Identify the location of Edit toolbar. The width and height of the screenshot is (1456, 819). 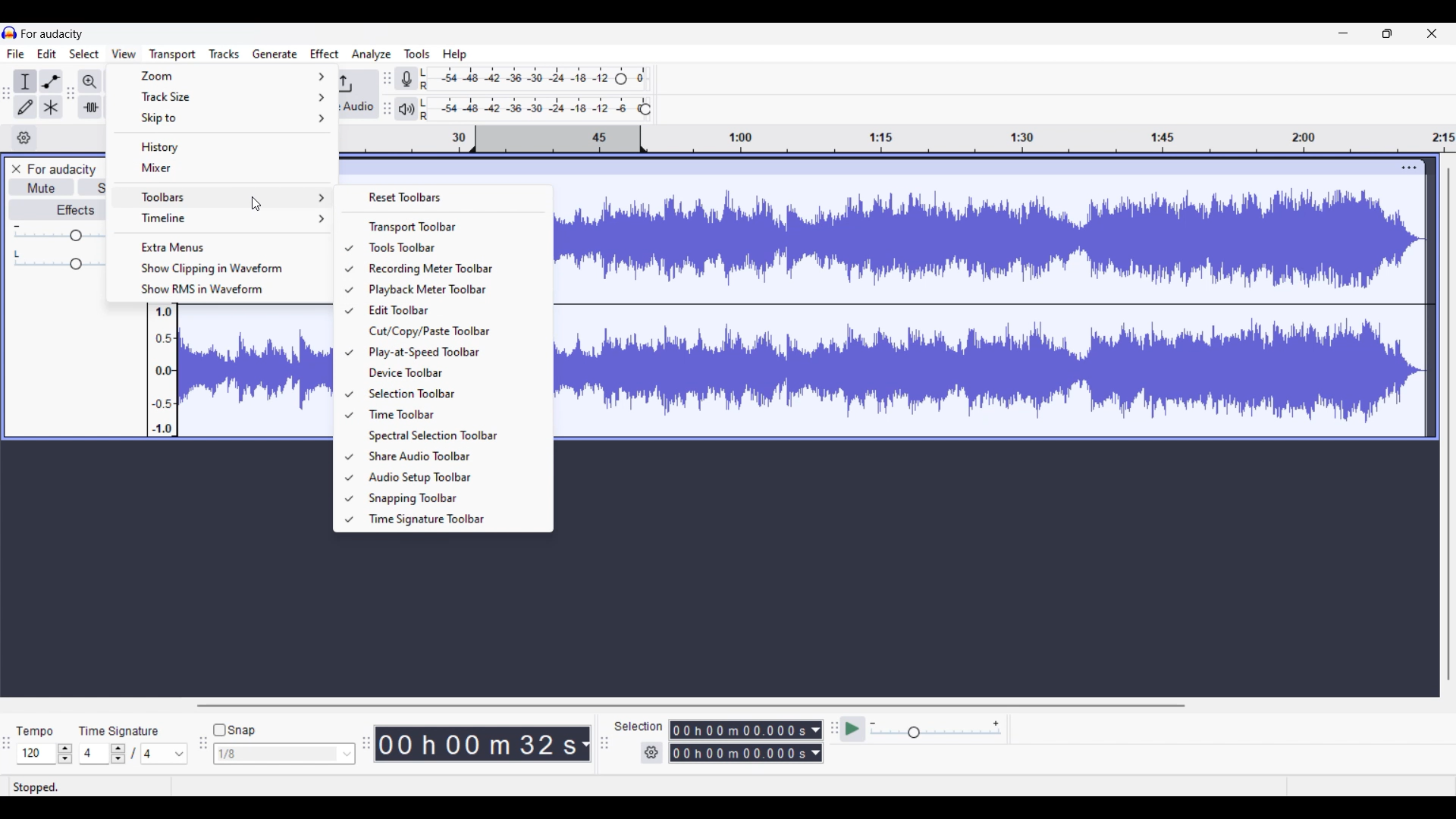
(450, 310).